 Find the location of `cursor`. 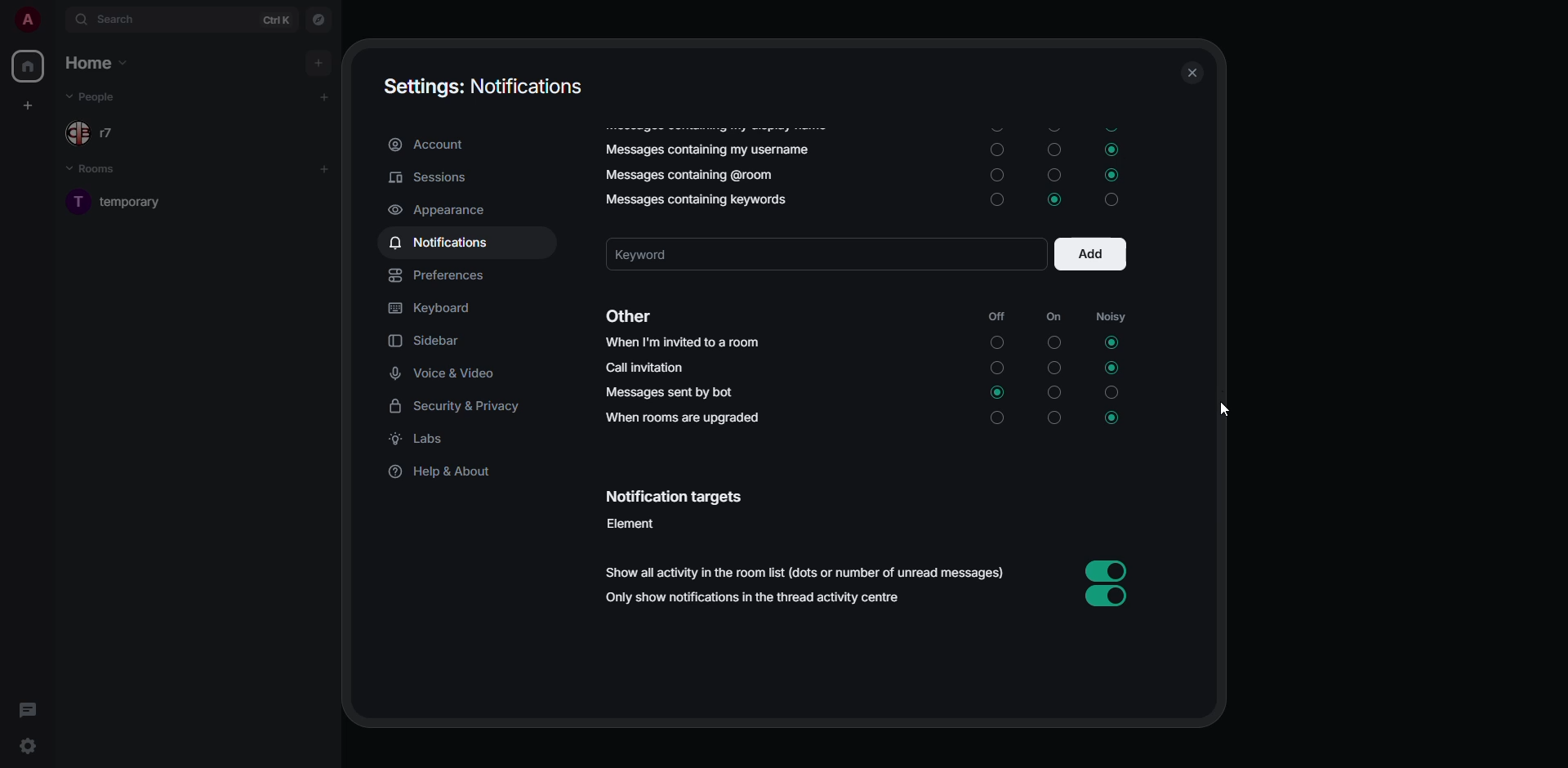

cursor is located at coordinates (1220, 407).